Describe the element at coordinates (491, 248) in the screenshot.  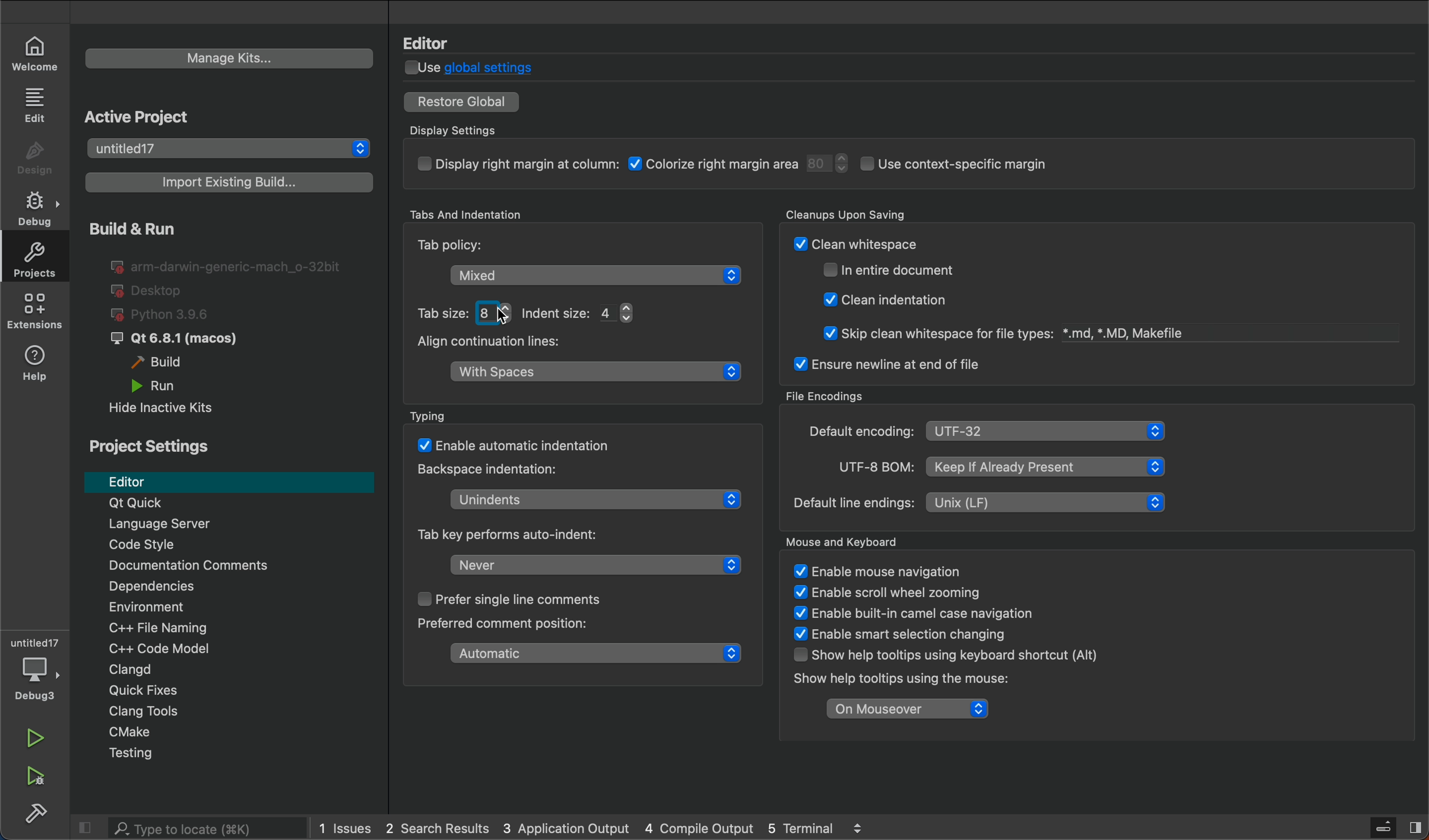
I see `Tab policy` at that location.